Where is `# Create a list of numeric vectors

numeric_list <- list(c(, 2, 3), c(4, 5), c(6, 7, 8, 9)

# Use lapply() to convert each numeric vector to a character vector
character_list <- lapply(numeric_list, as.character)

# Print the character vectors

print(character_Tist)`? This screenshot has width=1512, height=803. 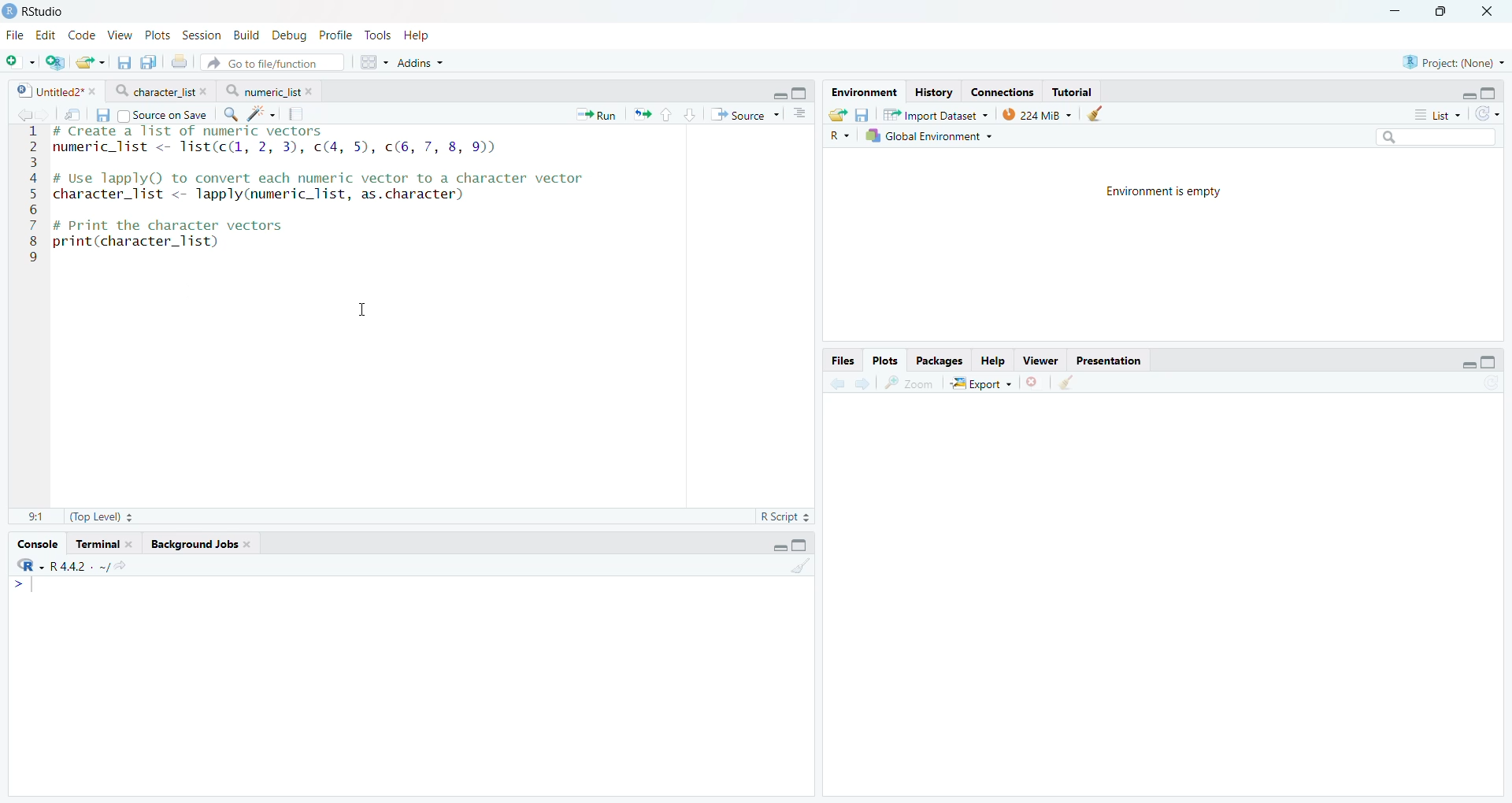 # Create a list of numeric vectors

numeric_list <- list(c(, 2, 3), c(4, 5), c(6, 7, 8, 9)

# Use lapply() to convert each numeric vector to a character vector
character_list <- lapply(numeric_list, as.character)

# Print the character vectors

print(character_Tist) is located at coordinates (324, 199).